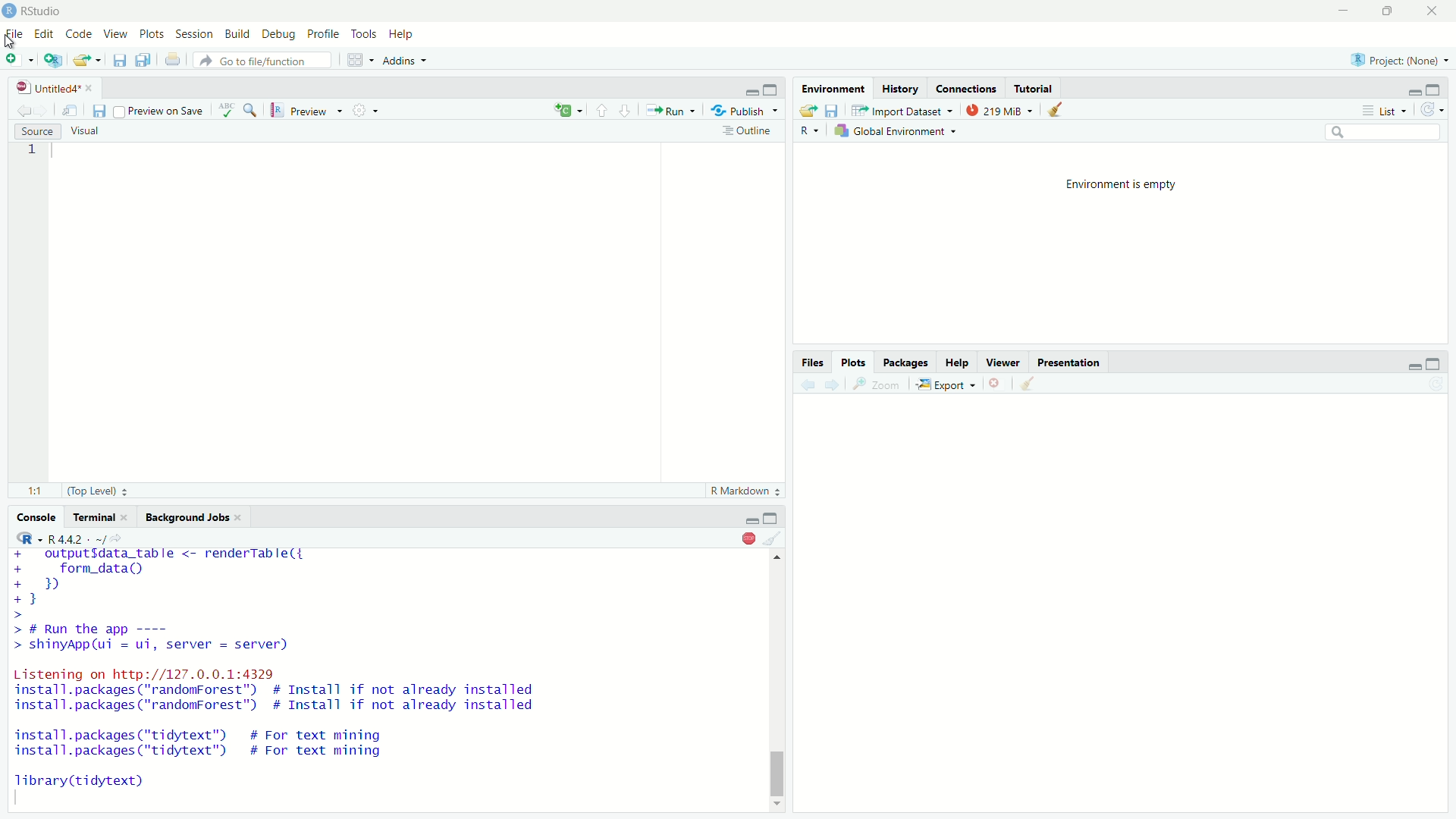 Image resolution: width=1456 pixels, height=819 pixels. Describe the element at coordinates (9, 11) in the screenshot. I see `Logo` at that location.